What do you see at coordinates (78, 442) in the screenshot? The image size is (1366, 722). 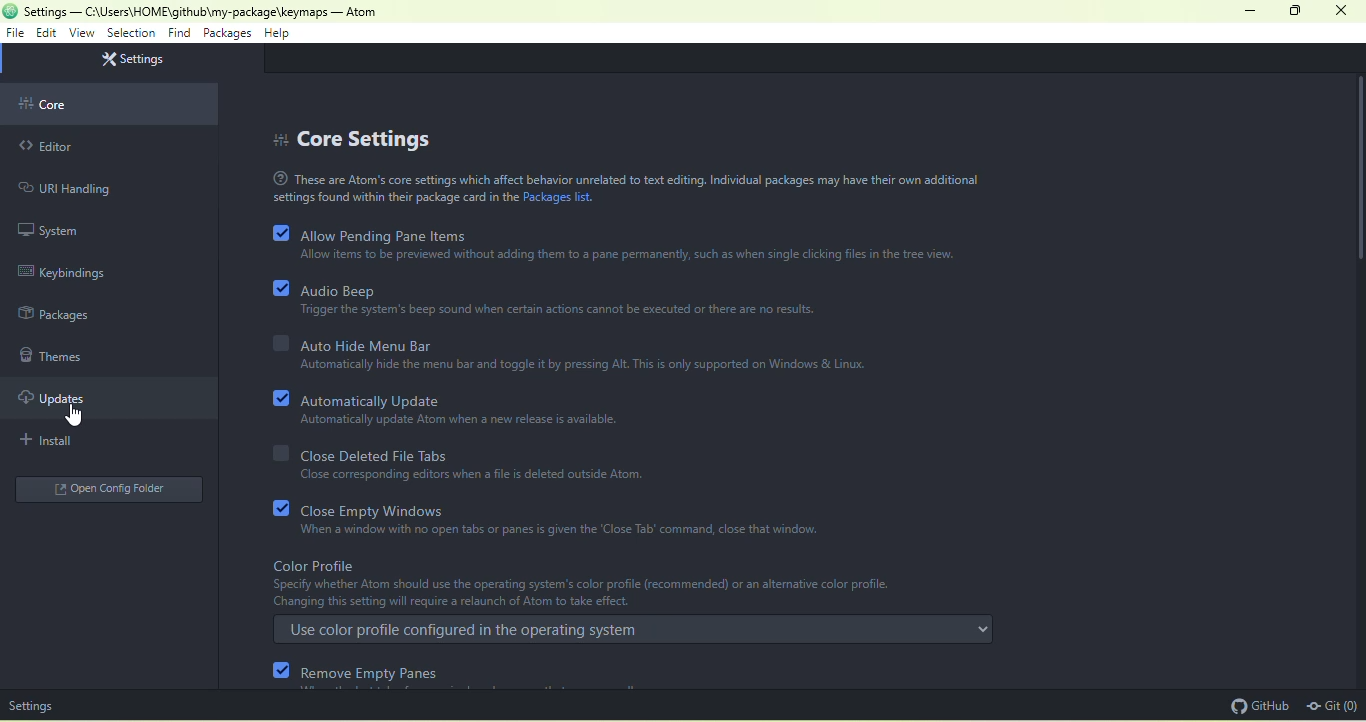 I see `install` at bounding box center [78, 442].